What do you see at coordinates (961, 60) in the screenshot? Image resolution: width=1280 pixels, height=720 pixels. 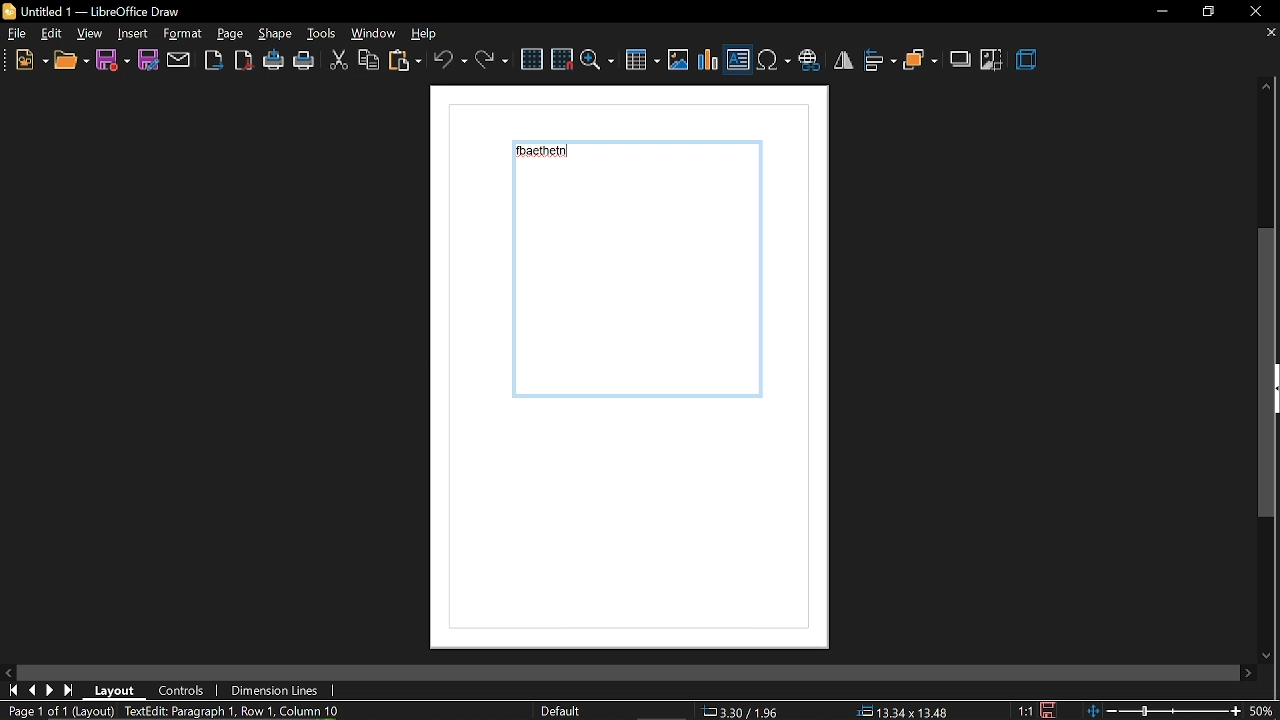 I see `shadow` at bounding box center [961, 60].